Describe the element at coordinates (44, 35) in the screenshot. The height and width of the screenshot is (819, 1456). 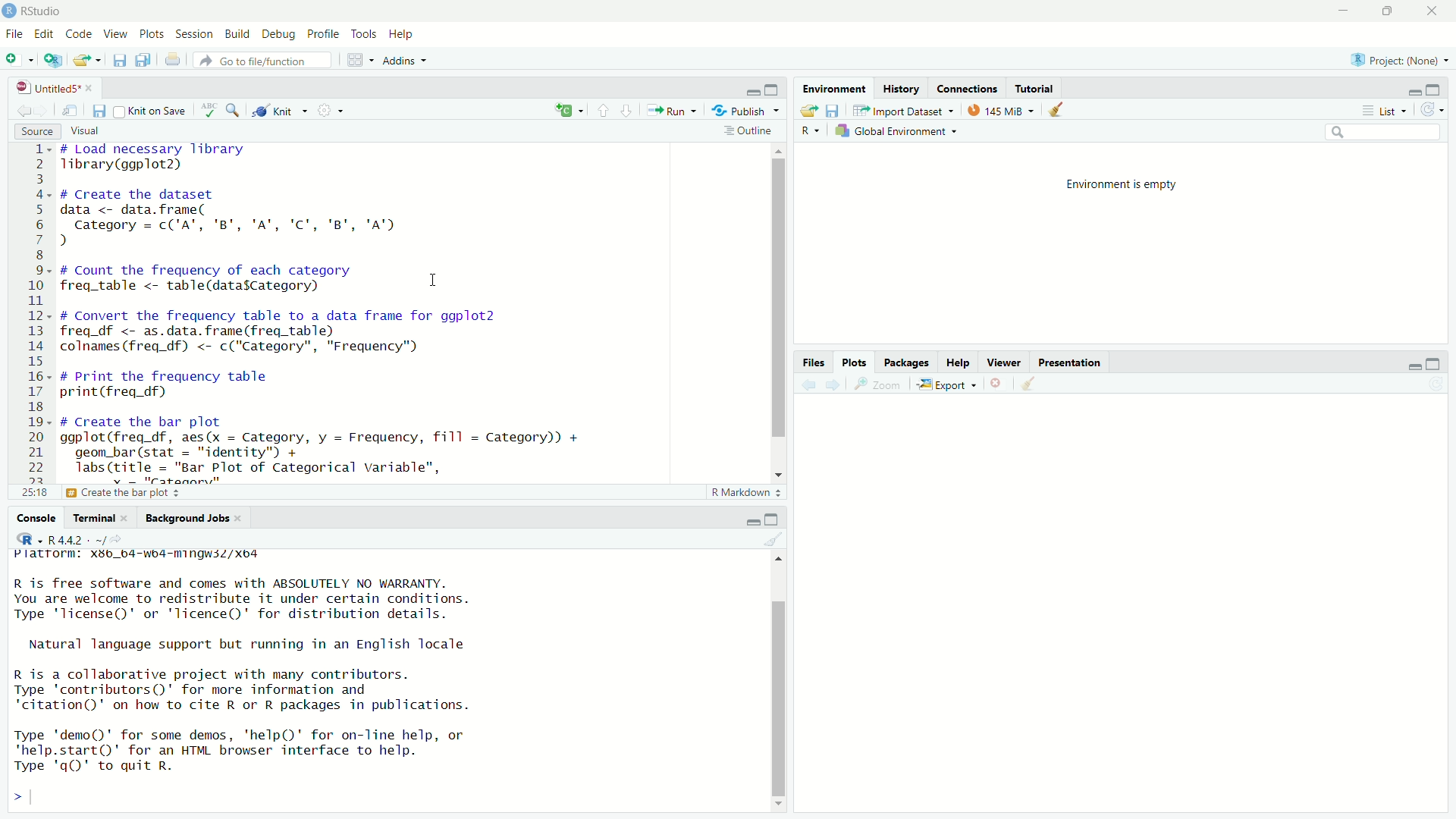
I see `edit` at that location.